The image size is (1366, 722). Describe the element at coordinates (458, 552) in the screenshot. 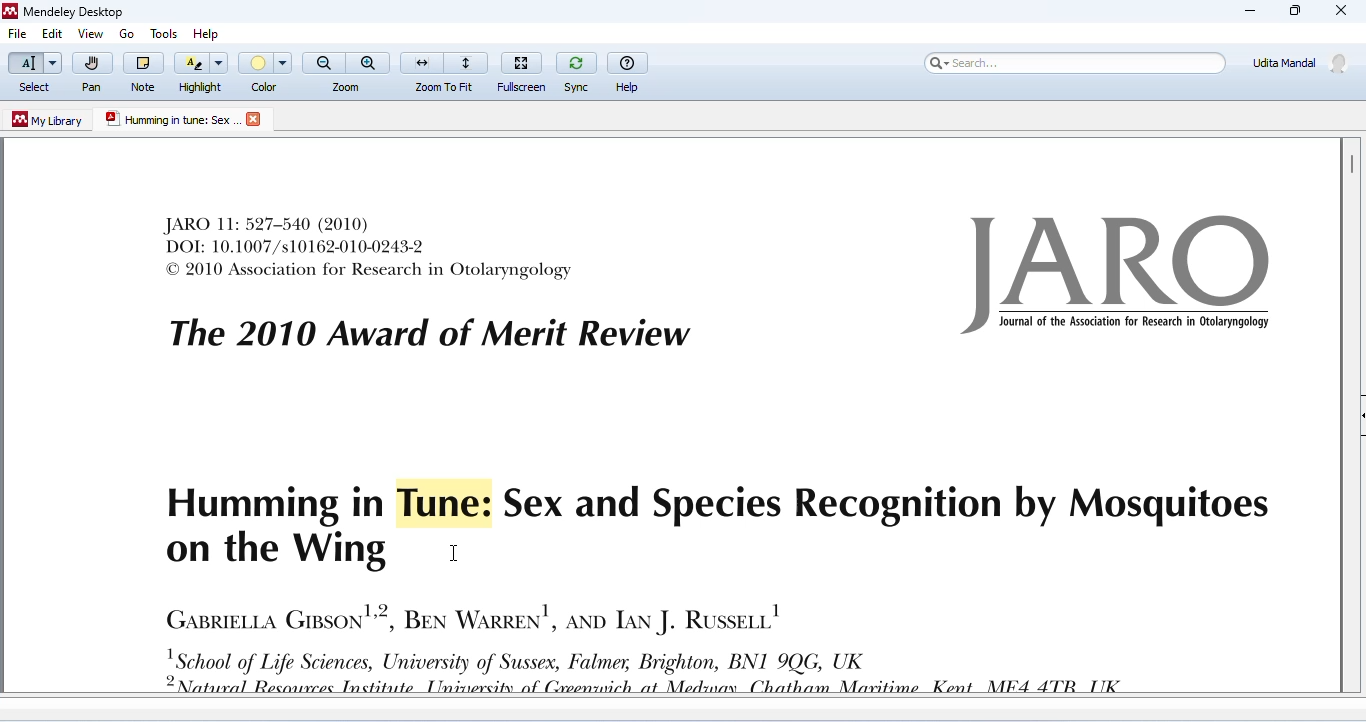

I see `Text cursor` at that location.